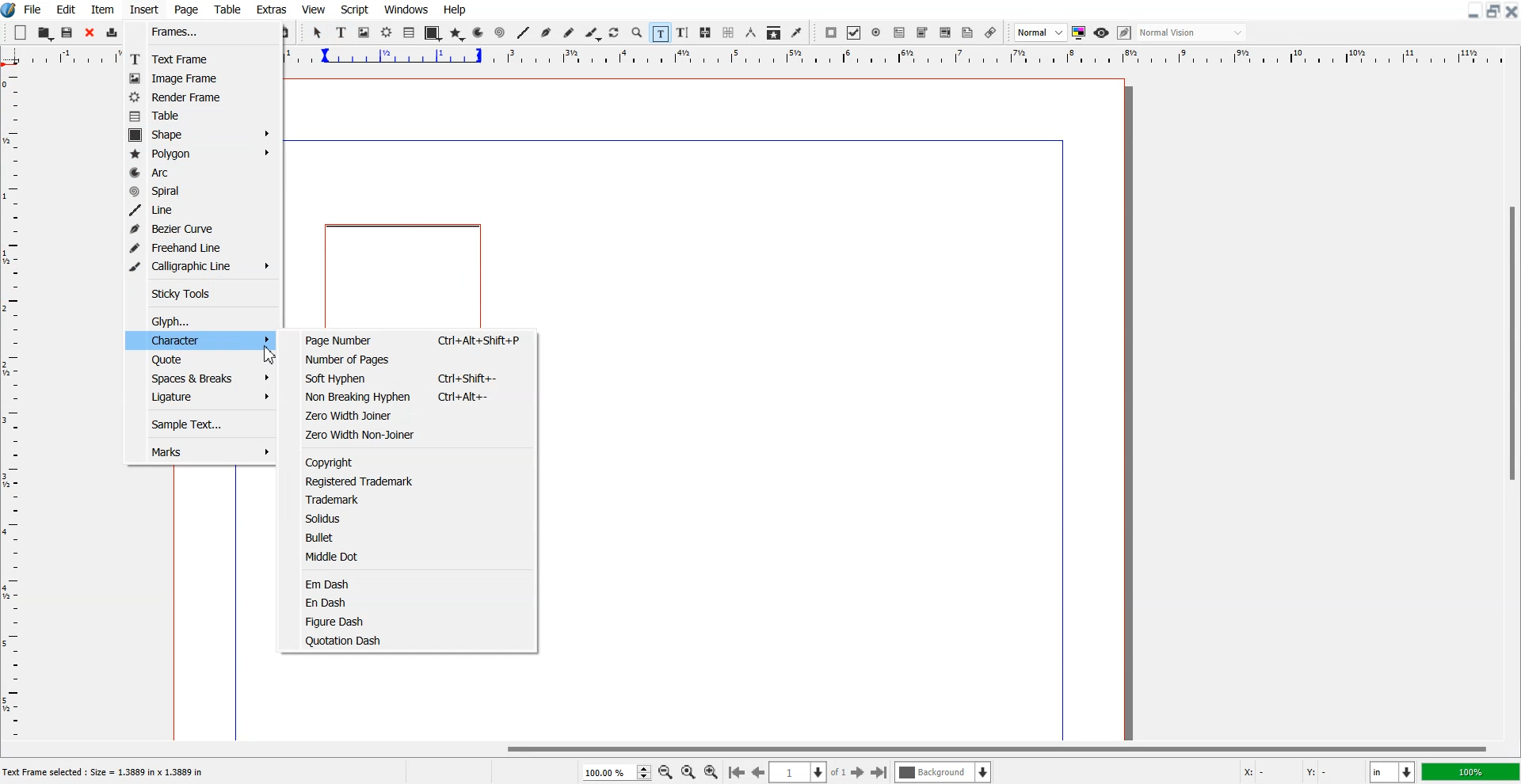 The height and width of the screenshot is (784, 1521). Describe the element at coordinates (454, 10) in the screenshot. I see `Help` at that location.